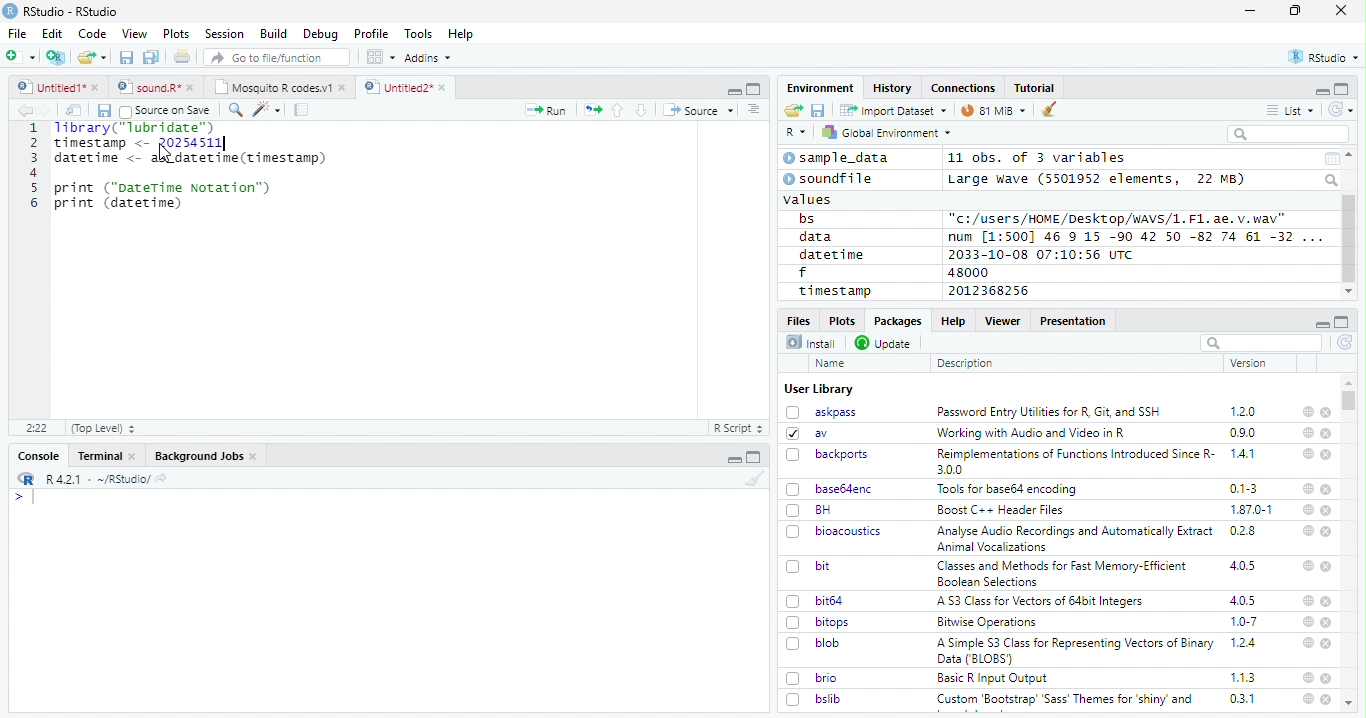 This screenshot has width=1366, height=718. I want to click on Update, so click(885, 343).